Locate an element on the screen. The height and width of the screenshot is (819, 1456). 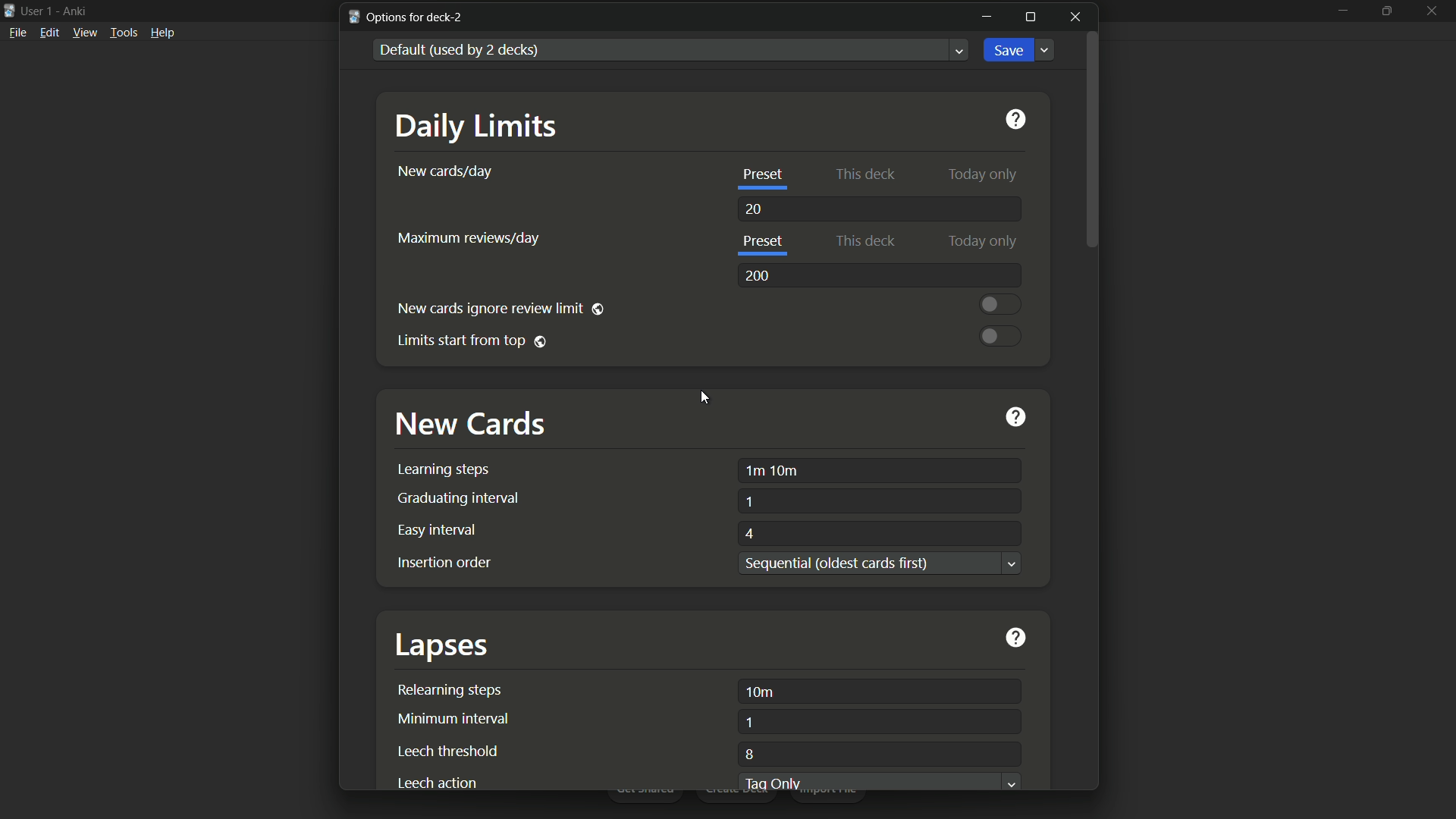
preset is located at coordinates (768, 173).